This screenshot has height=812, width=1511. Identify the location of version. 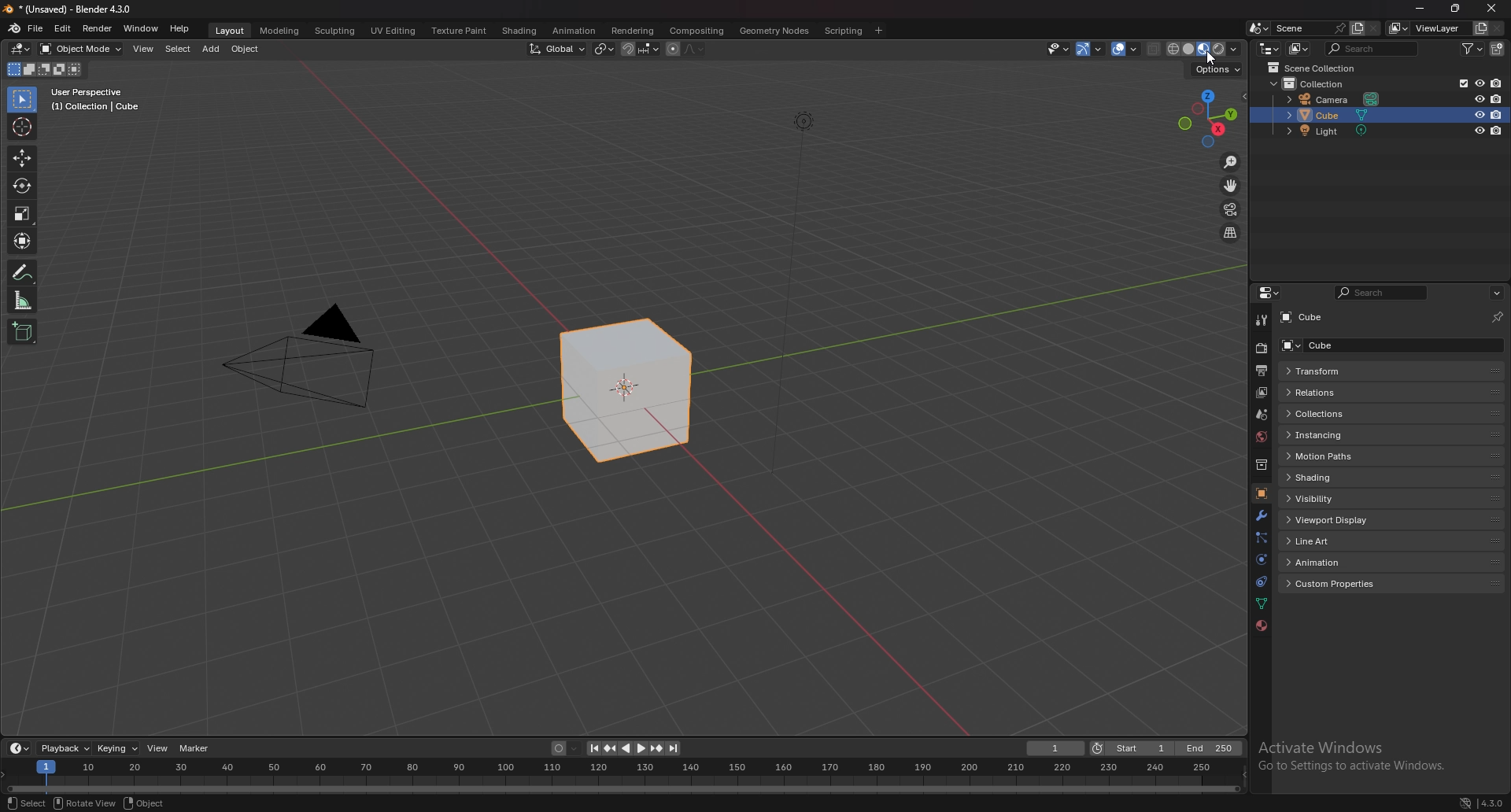
(1493, 803).